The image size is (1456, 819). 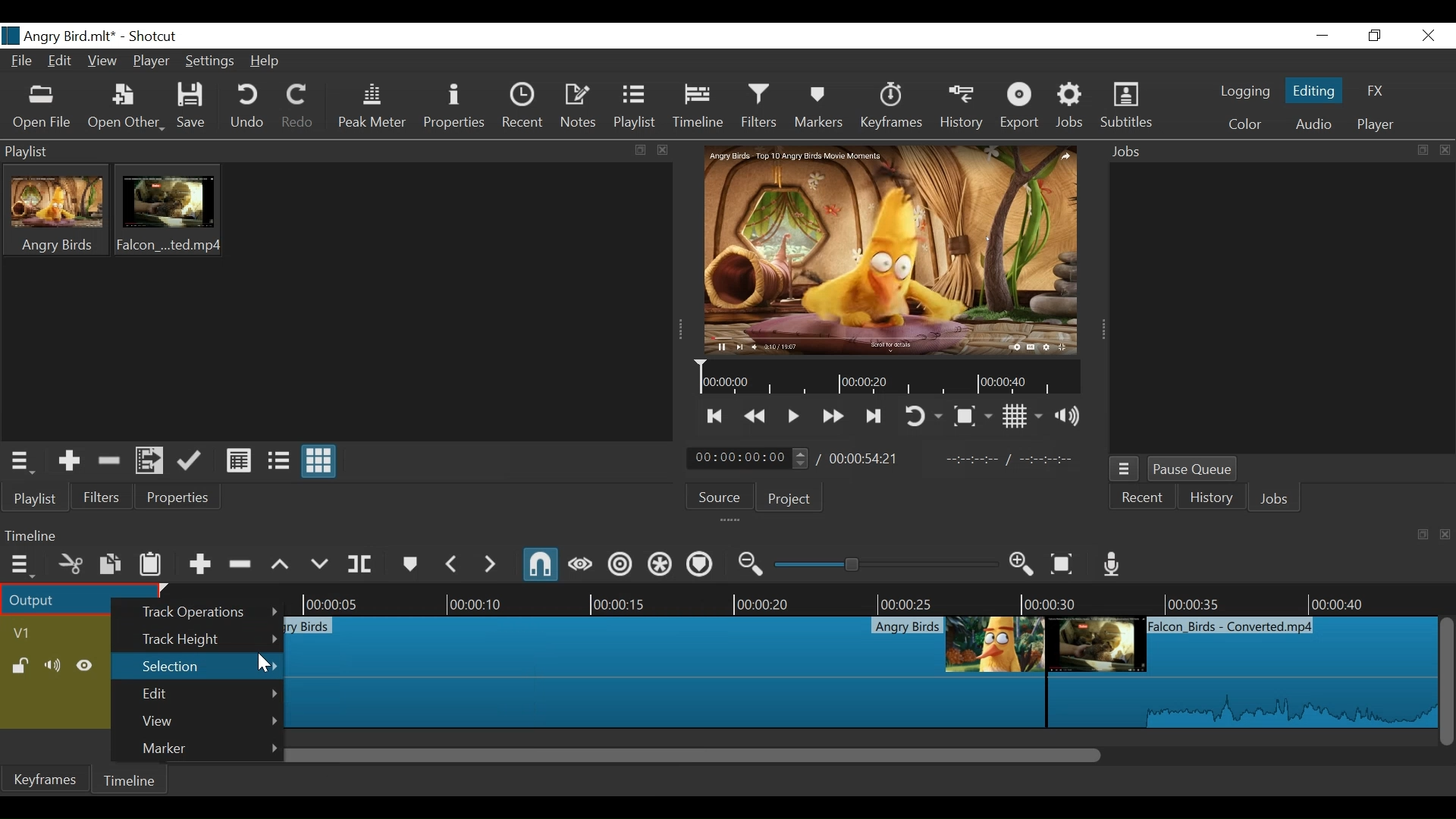 What do you see at coordinates (411, 564) in the screenshot?
I see `Marker` at bounding box center [411, 564].